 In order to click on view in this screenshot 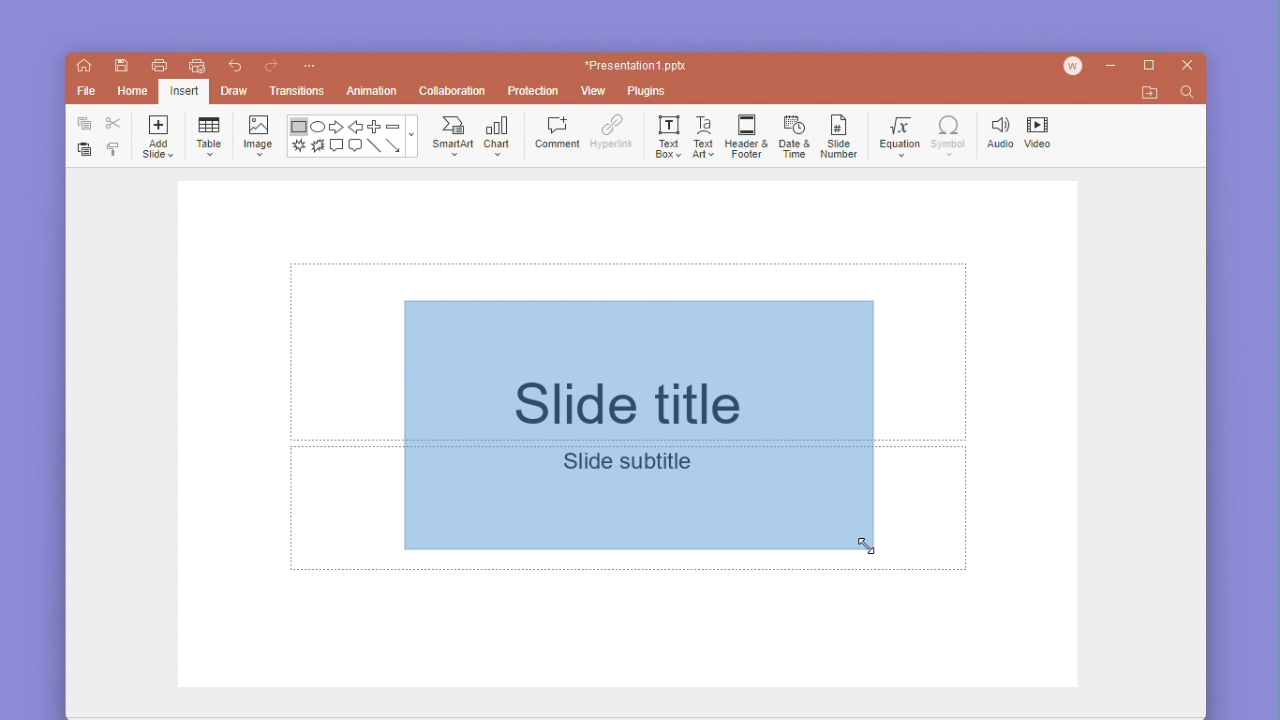, I will do `click(596, 91)`.